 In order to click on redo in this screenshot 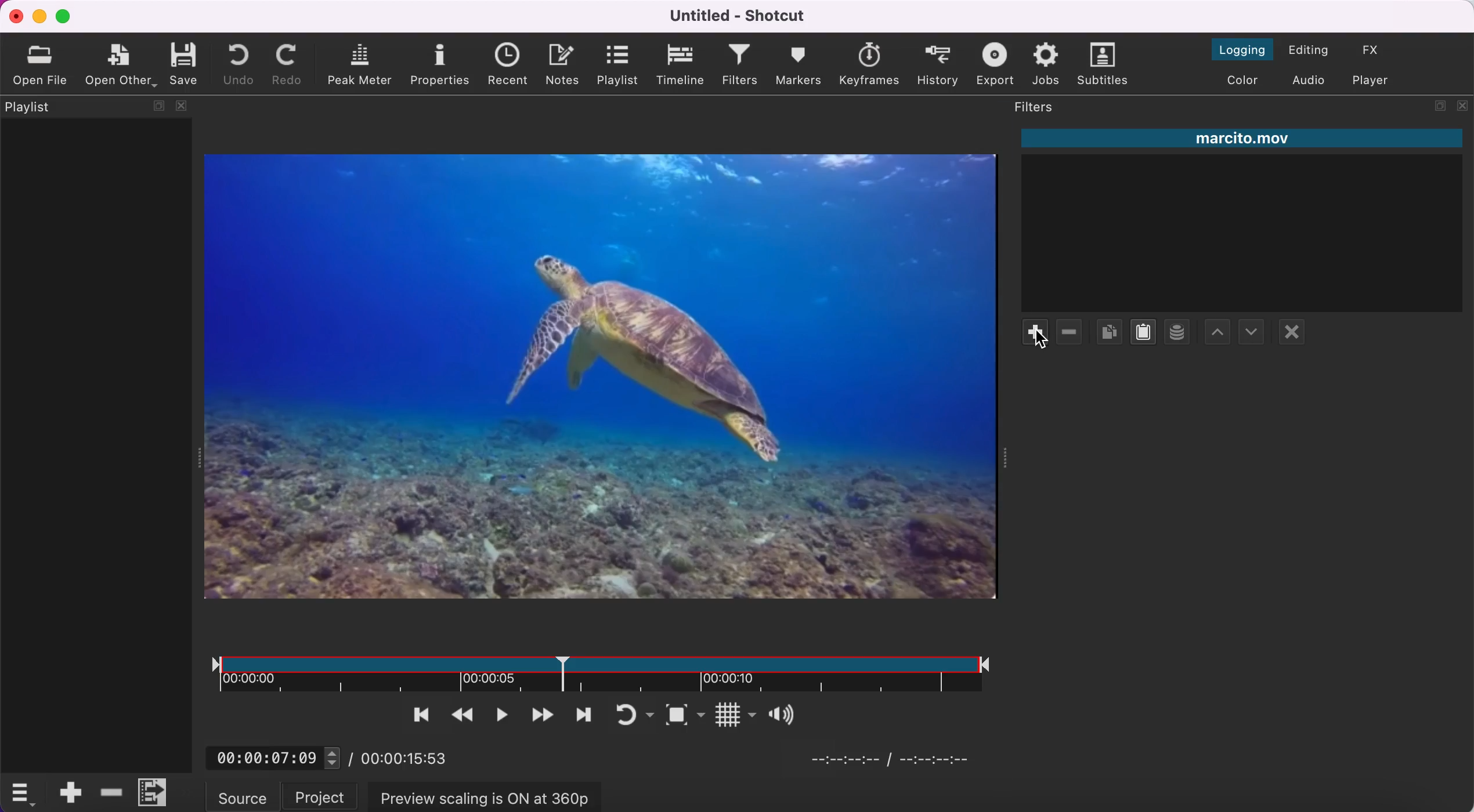, I will do `click(289, 64)`.